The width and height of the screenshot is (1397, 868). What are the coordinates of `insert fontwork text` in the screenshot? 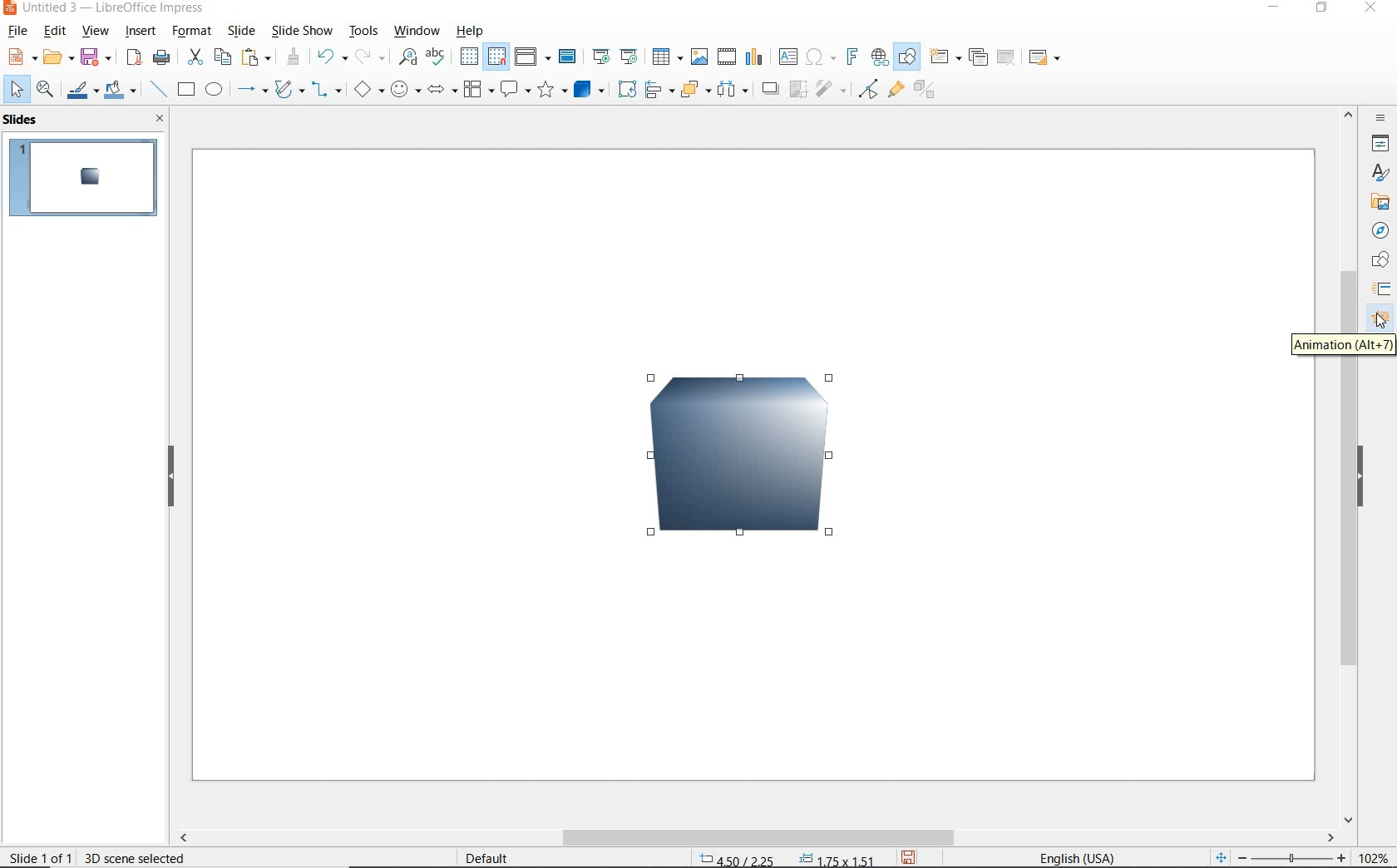 It's located at (851, 57).